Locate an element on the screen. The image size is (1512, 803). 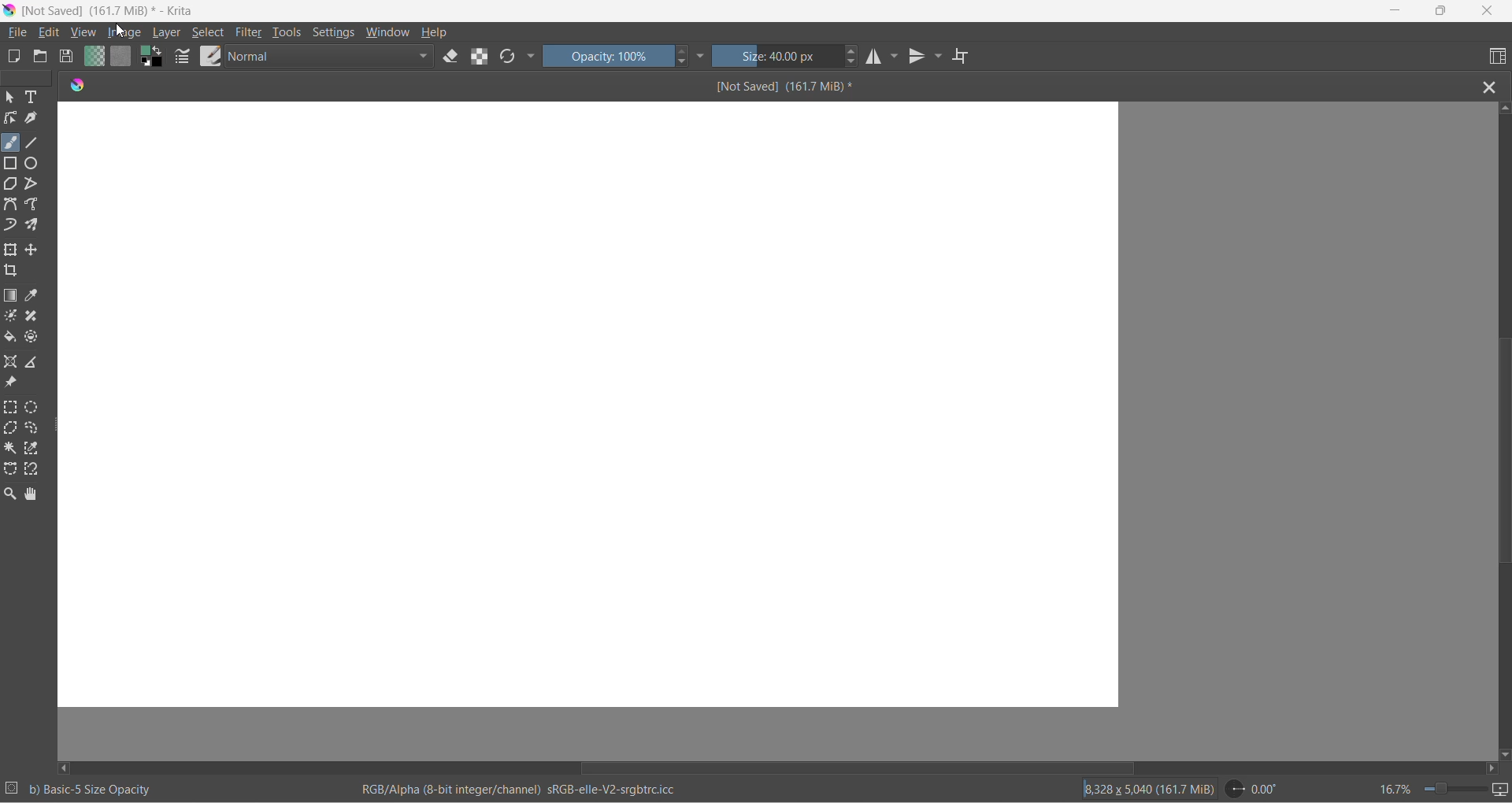
save is located at coordinates (67, 58).